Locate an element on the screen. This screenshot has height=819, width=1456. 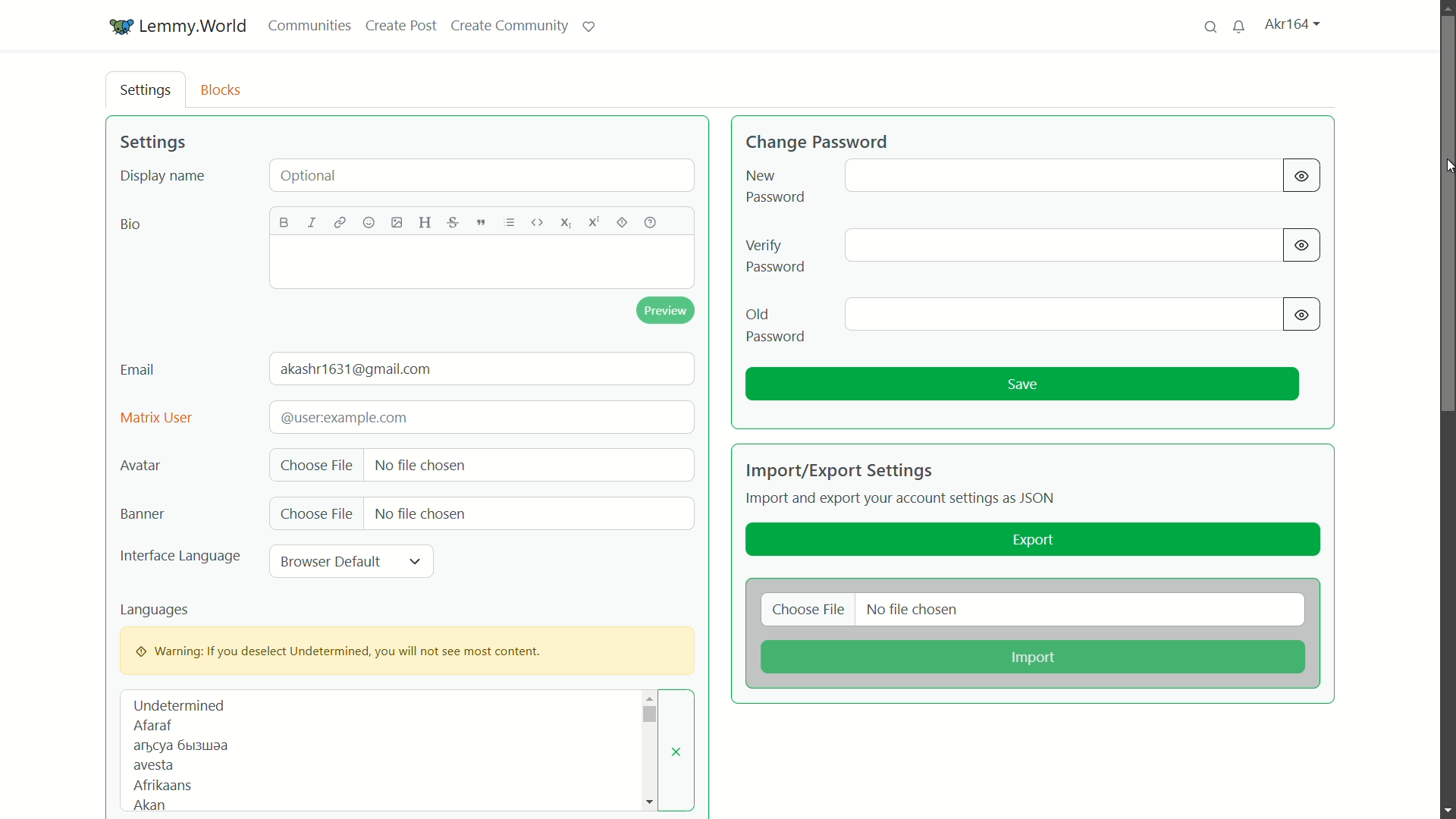
unread messages is located at coordinates (1240, 27).